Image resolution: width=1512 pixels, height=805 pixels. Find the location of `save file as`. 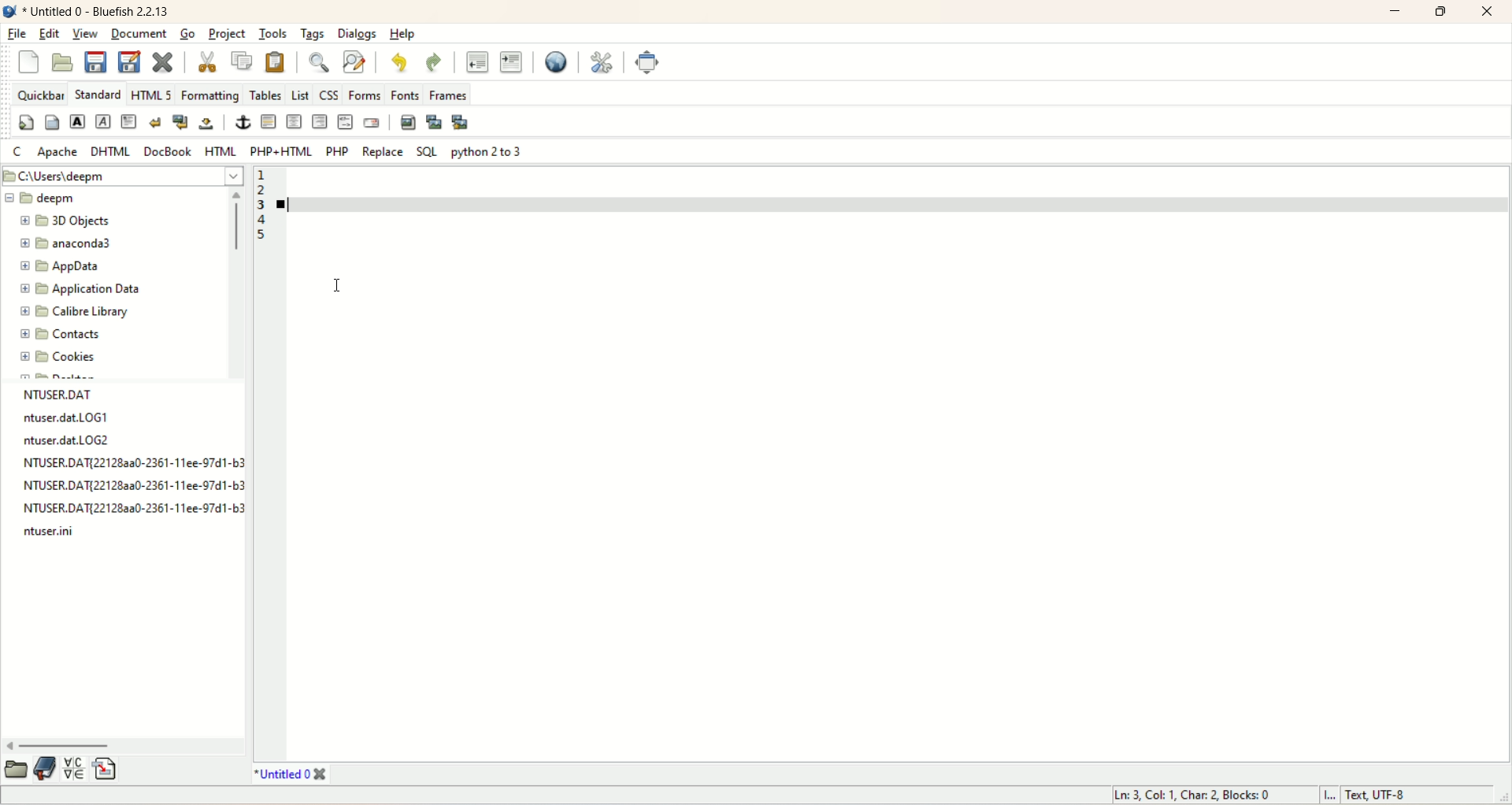

save file as is located at coordinates (130, 63).